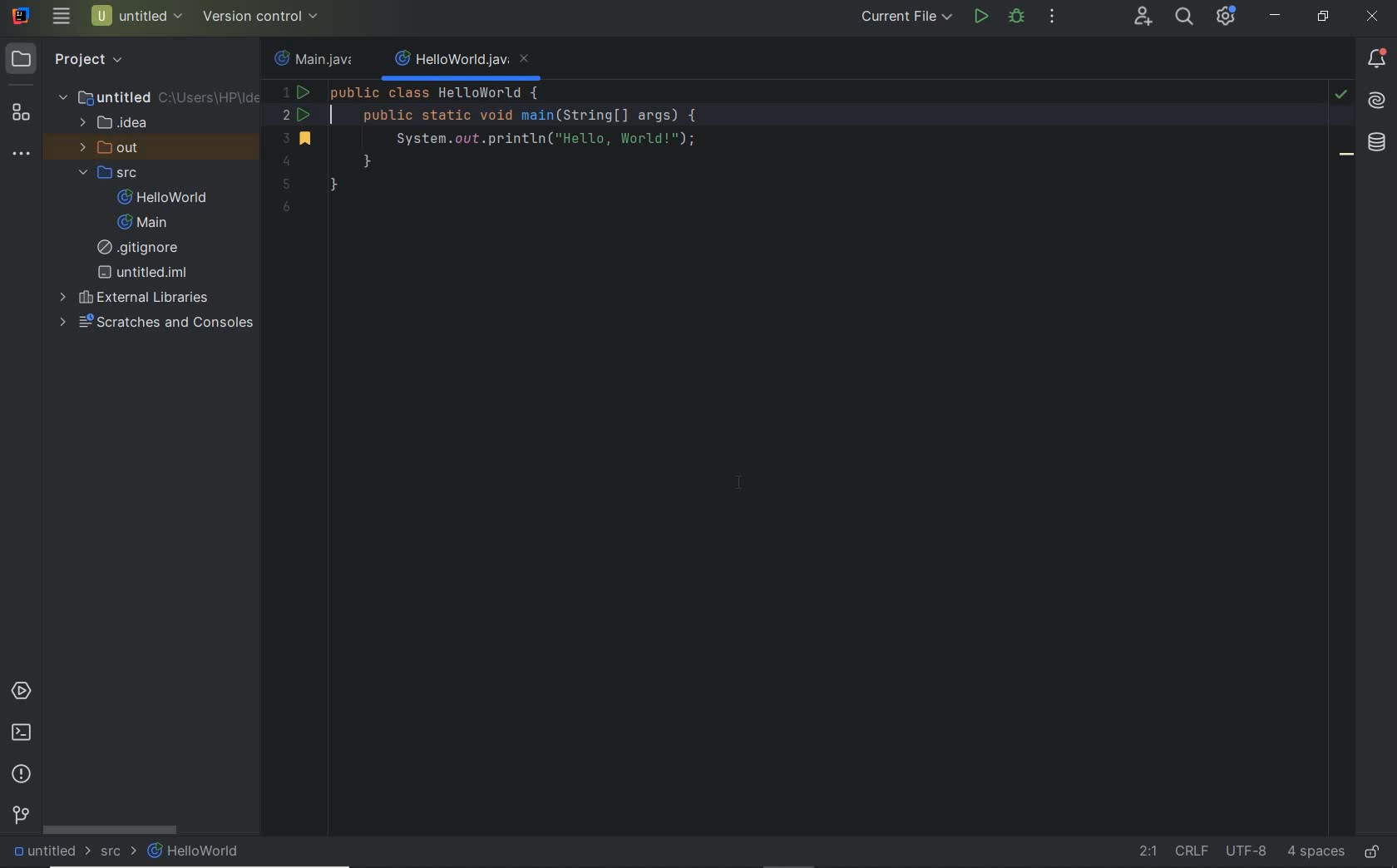  I want to click on run/debug configurations, so click(909, 17).